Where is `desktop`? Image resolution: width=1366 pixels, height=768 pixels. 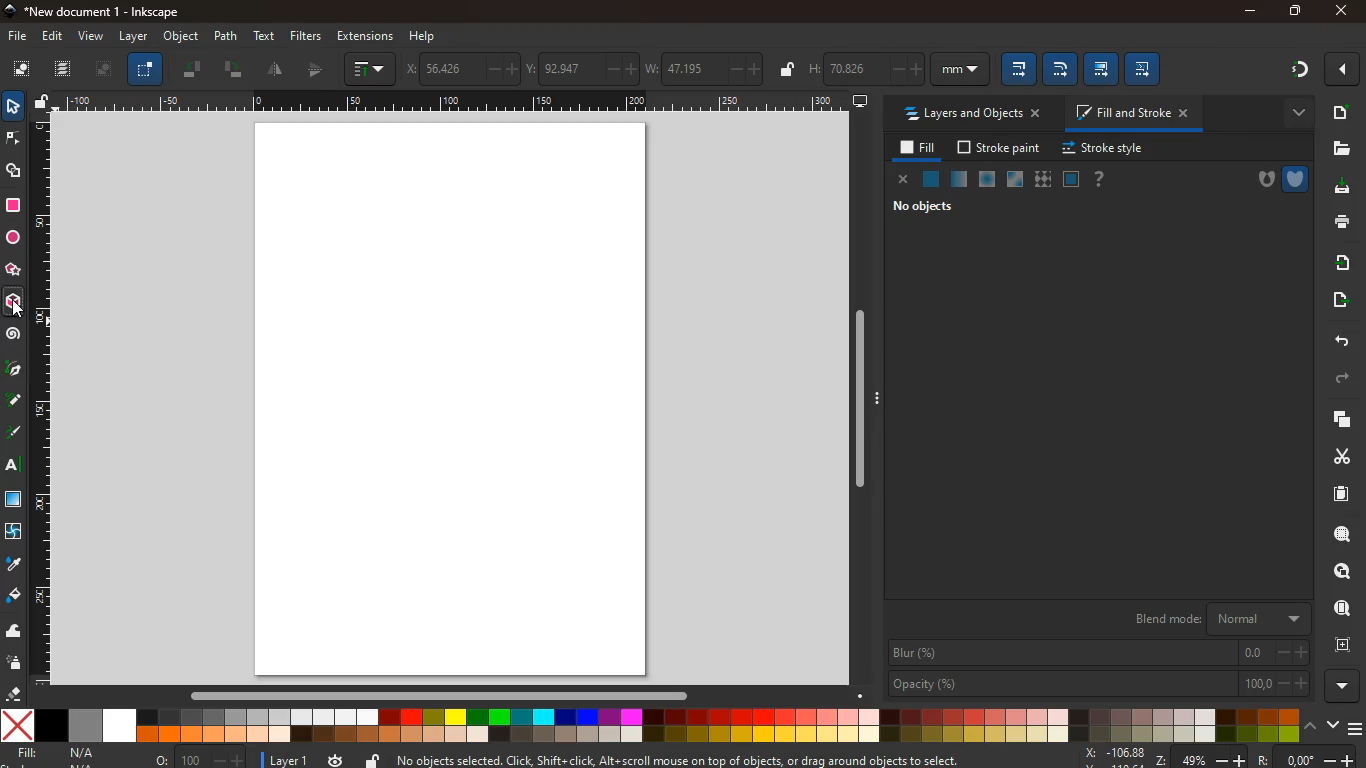 desktop is located at coordinates (860, 102).